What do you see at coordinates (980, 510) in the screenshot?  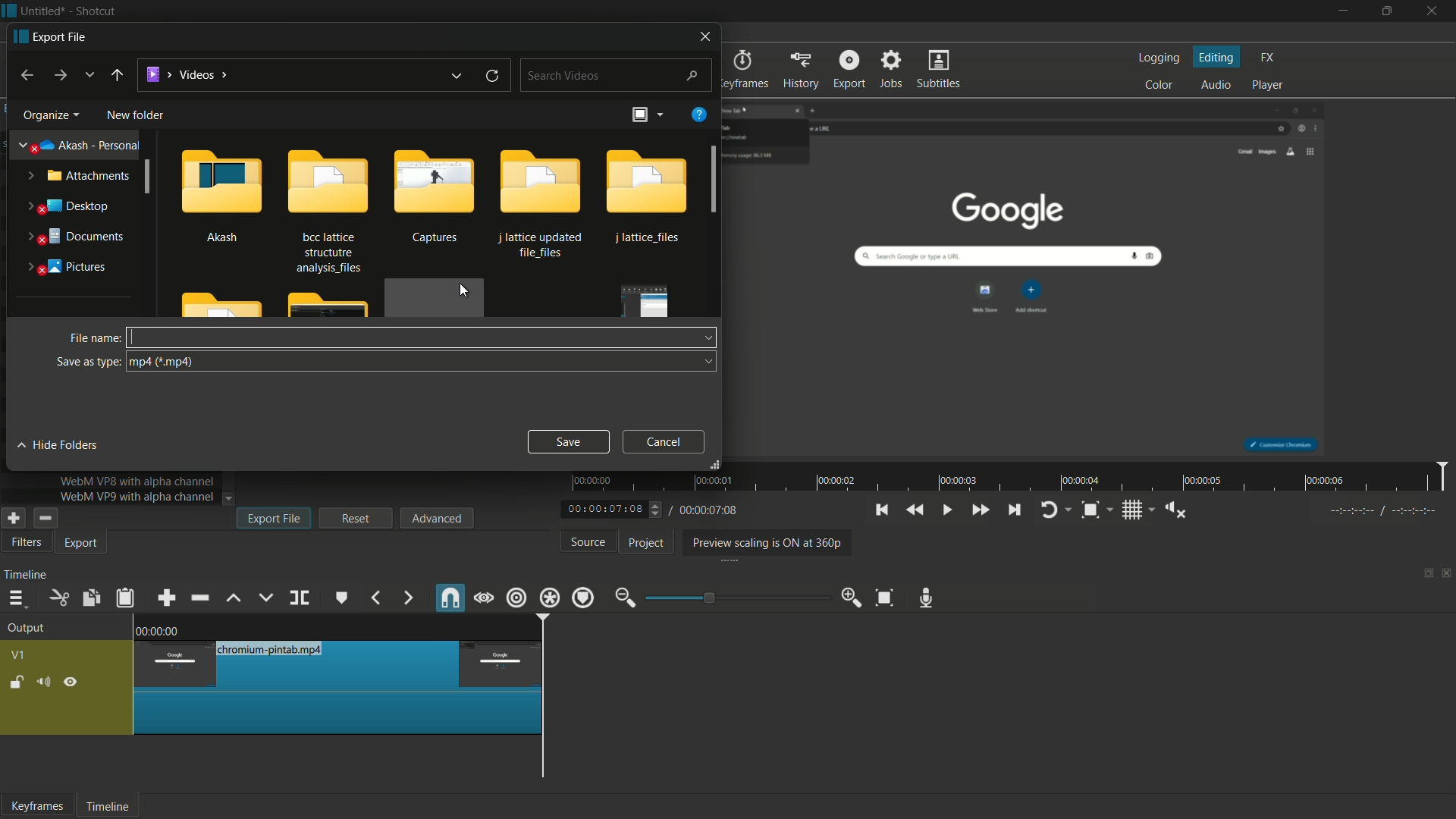 I see `quickly play forward` at bounding box center [980, 510].